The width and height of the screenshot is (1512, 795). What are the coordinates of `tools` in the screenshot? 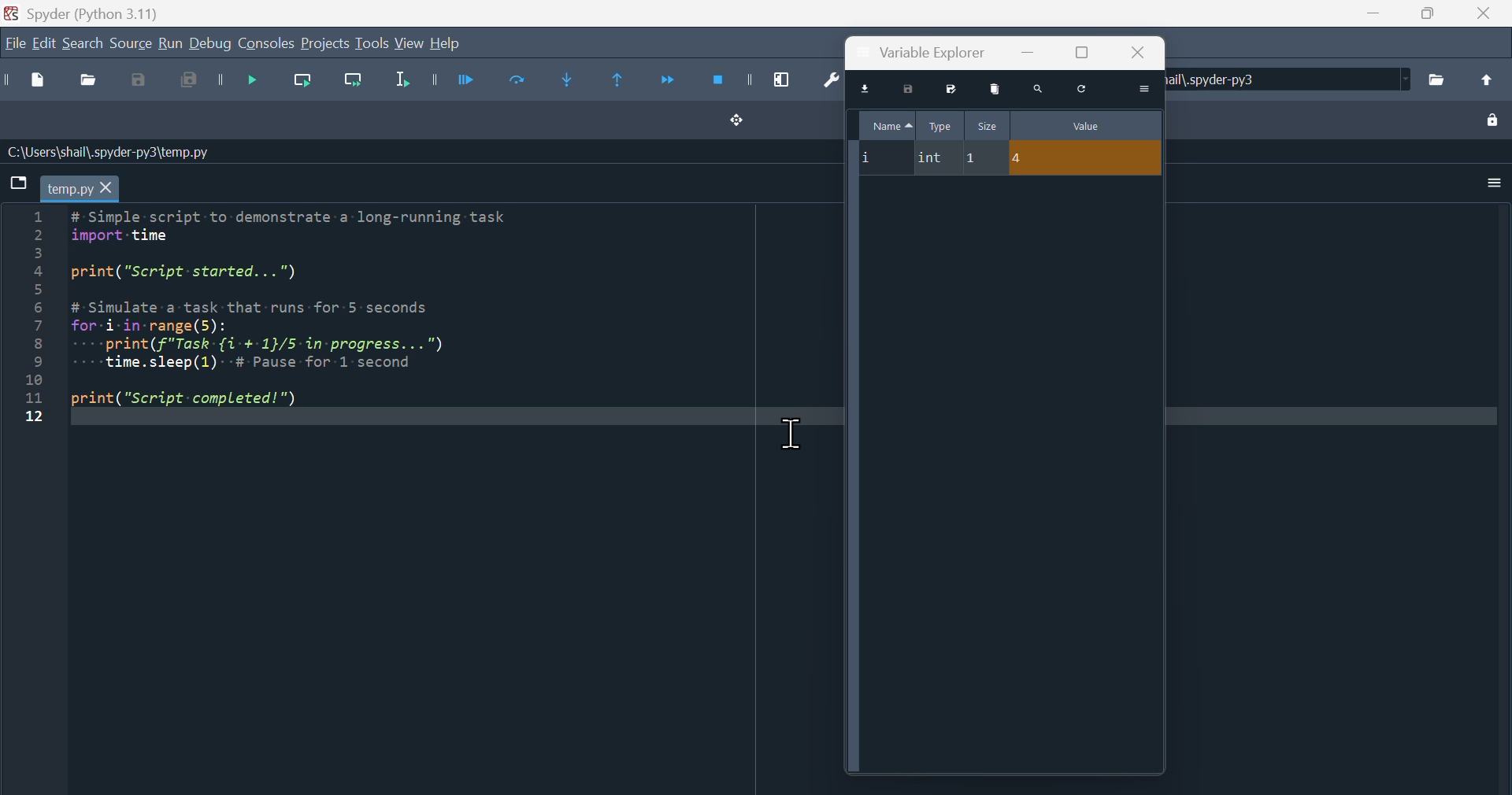 It's located at (372, 43).